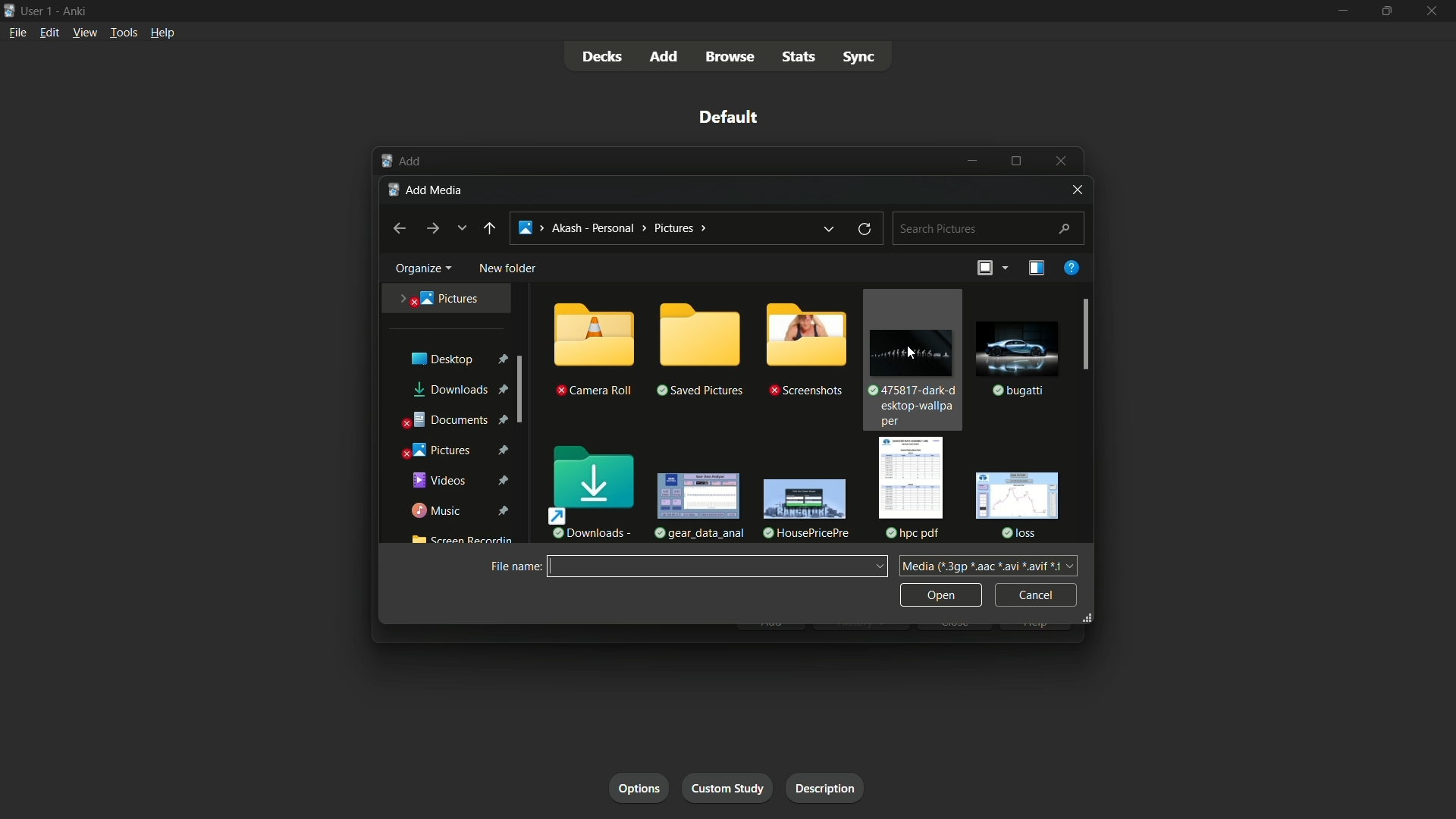 This screenshot has height=819, width=1456. Describe the element at coordinates (805, 352) in the screenshot. I see `folder-3` at that location.